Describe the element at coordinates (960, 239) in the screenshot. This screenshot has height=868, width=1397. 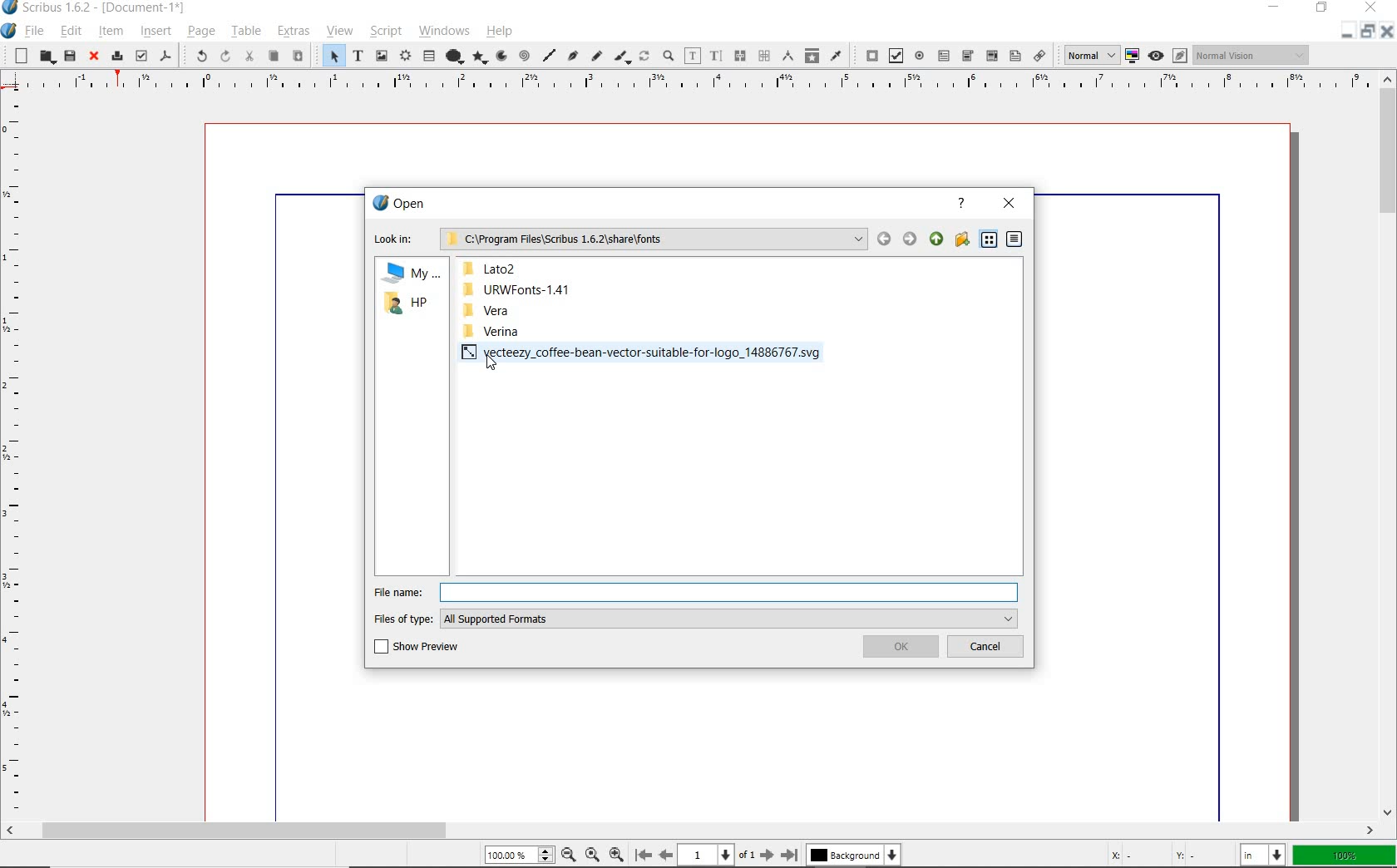
I see `create new folder` at that location.